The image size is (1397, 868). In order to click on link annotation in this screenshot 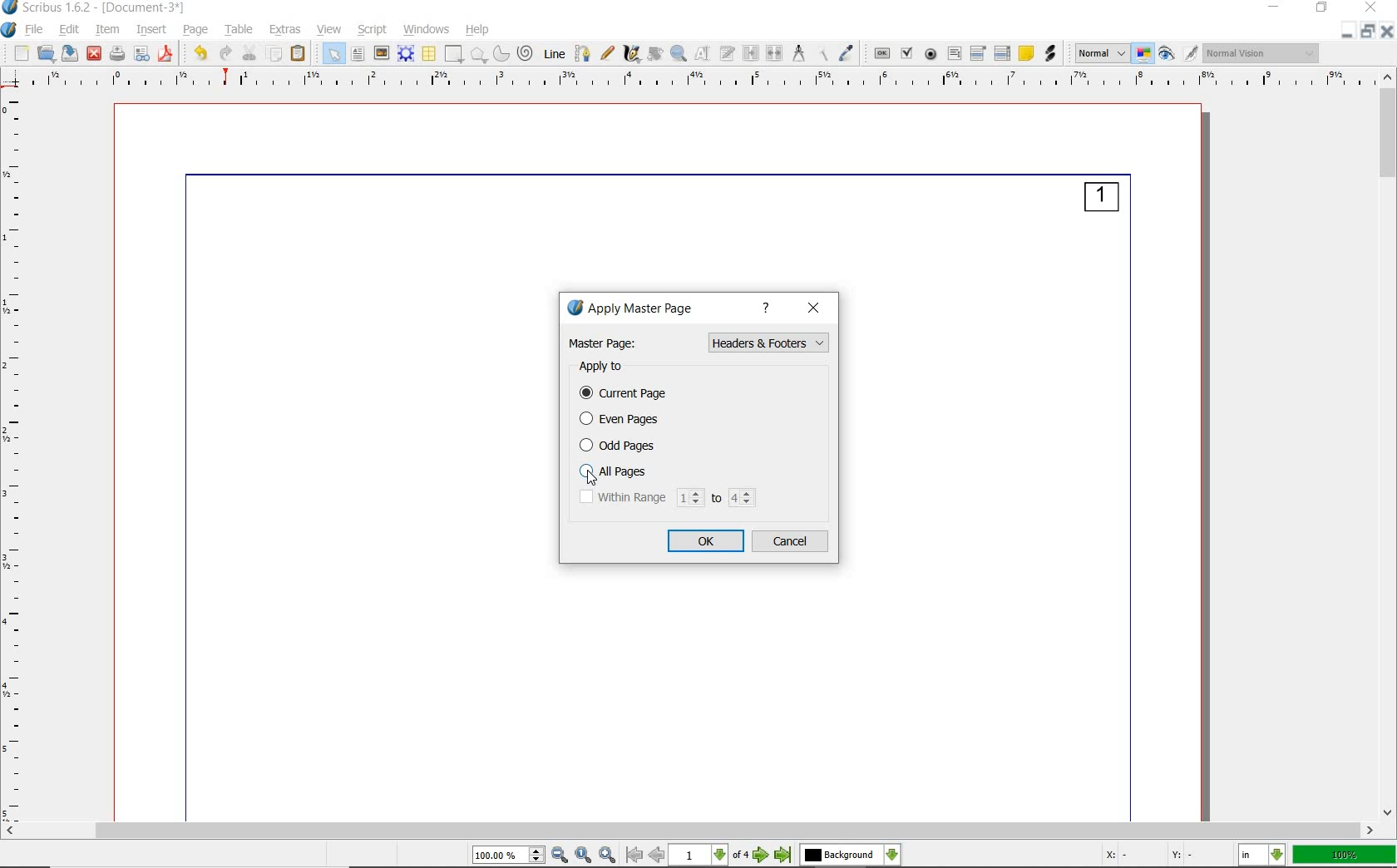, I will do `click(1051, 53)`.